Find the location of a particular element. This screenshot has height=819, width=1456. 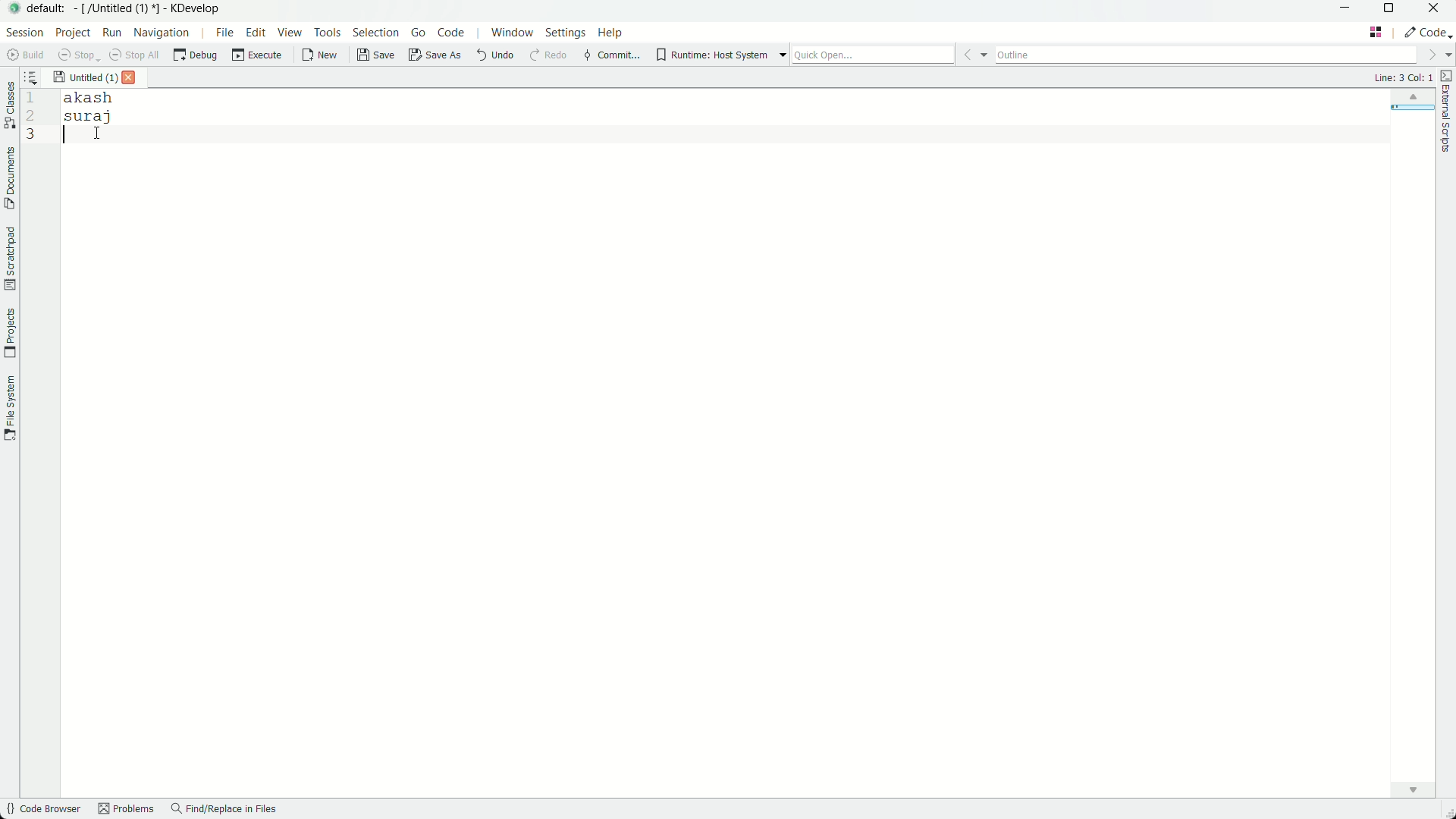

scratchpad is located at coordinates (9, 259).